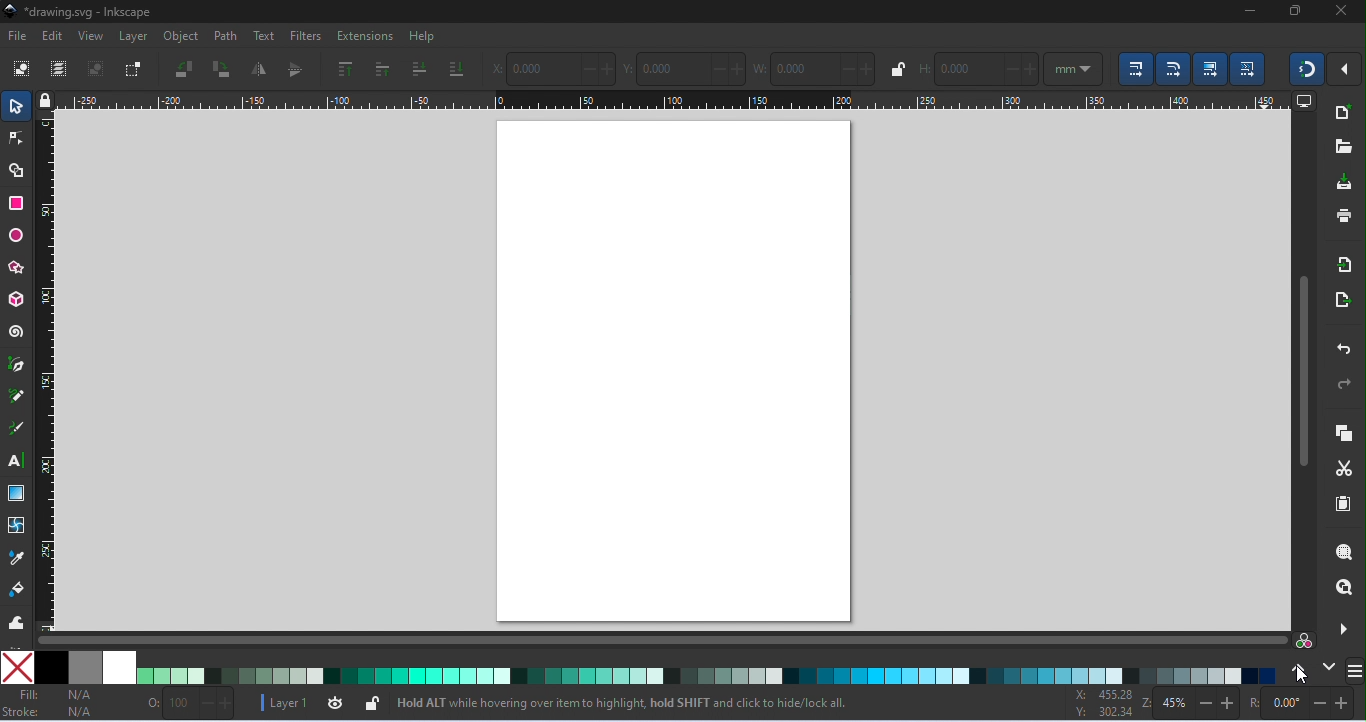 The image size is (1366, 722). What do you see at coordinates (52, 713) in the screenshot?
I see `stroke` at bounding box center [52, 713].